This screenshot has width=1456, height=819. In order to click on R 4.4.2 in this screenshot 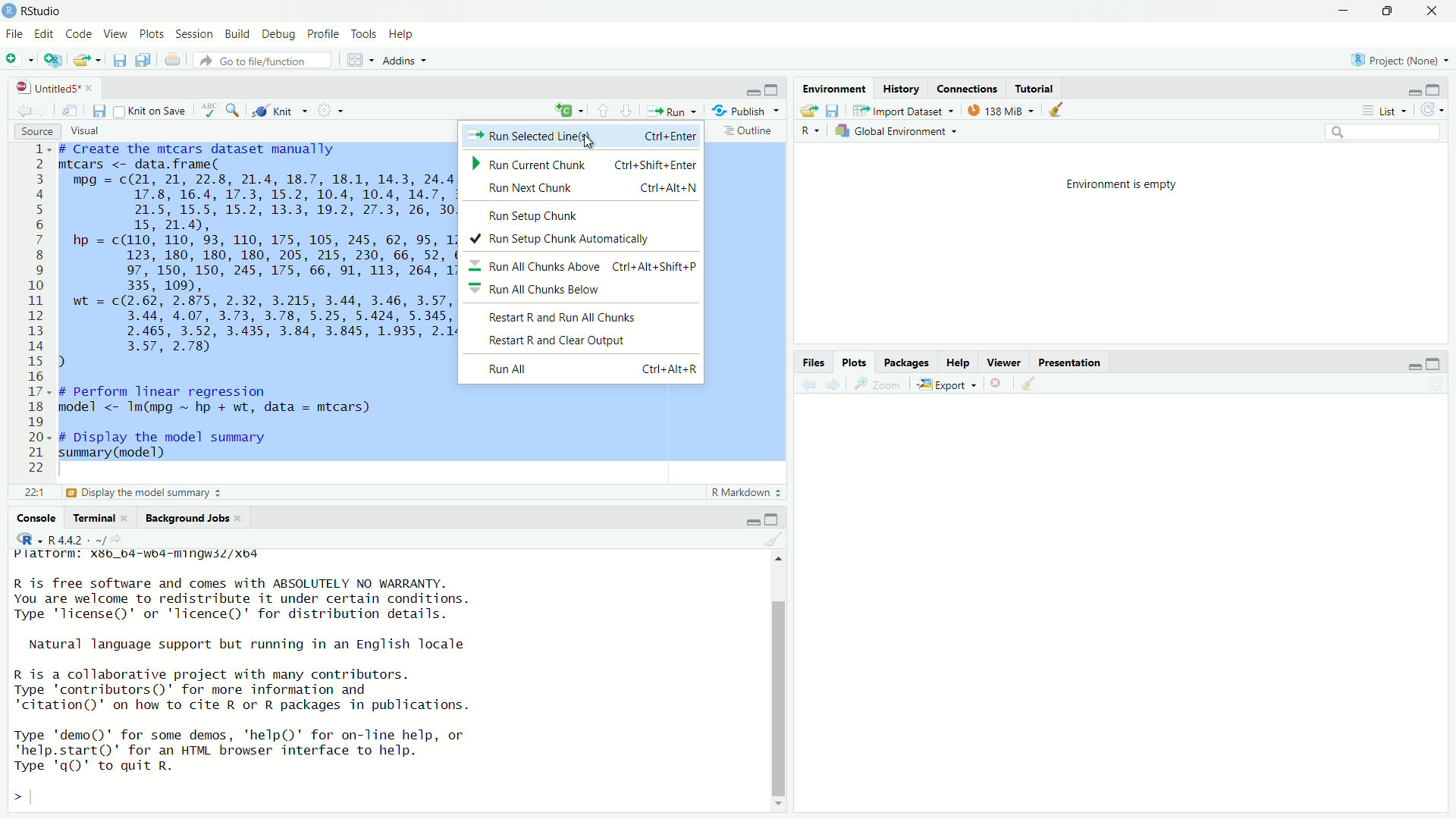, I will do `click(58, 538)`.